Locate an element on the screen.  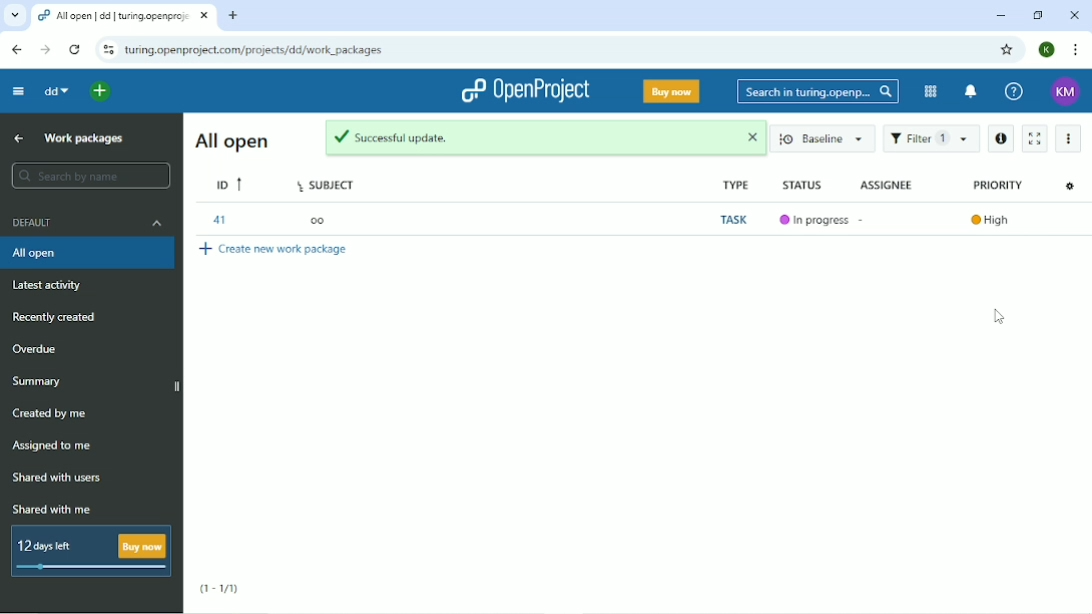
Help is located at coordinates (1013, 91).